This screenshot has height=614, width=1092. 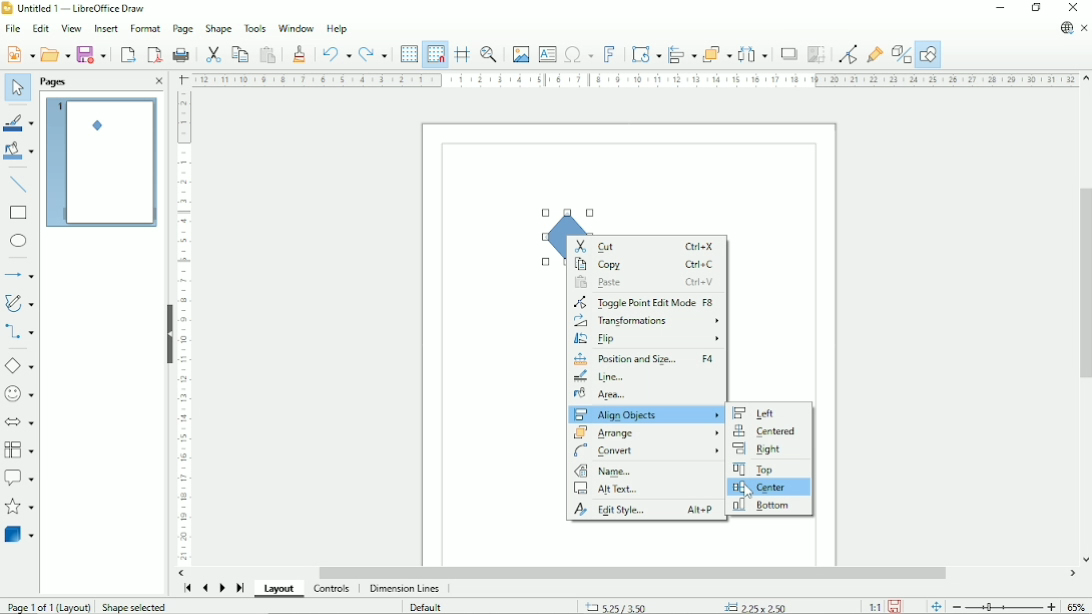 What do you see at coordinates (39, 28) in the screenshot?
I see `Edit` at bounding box center [39, 28].